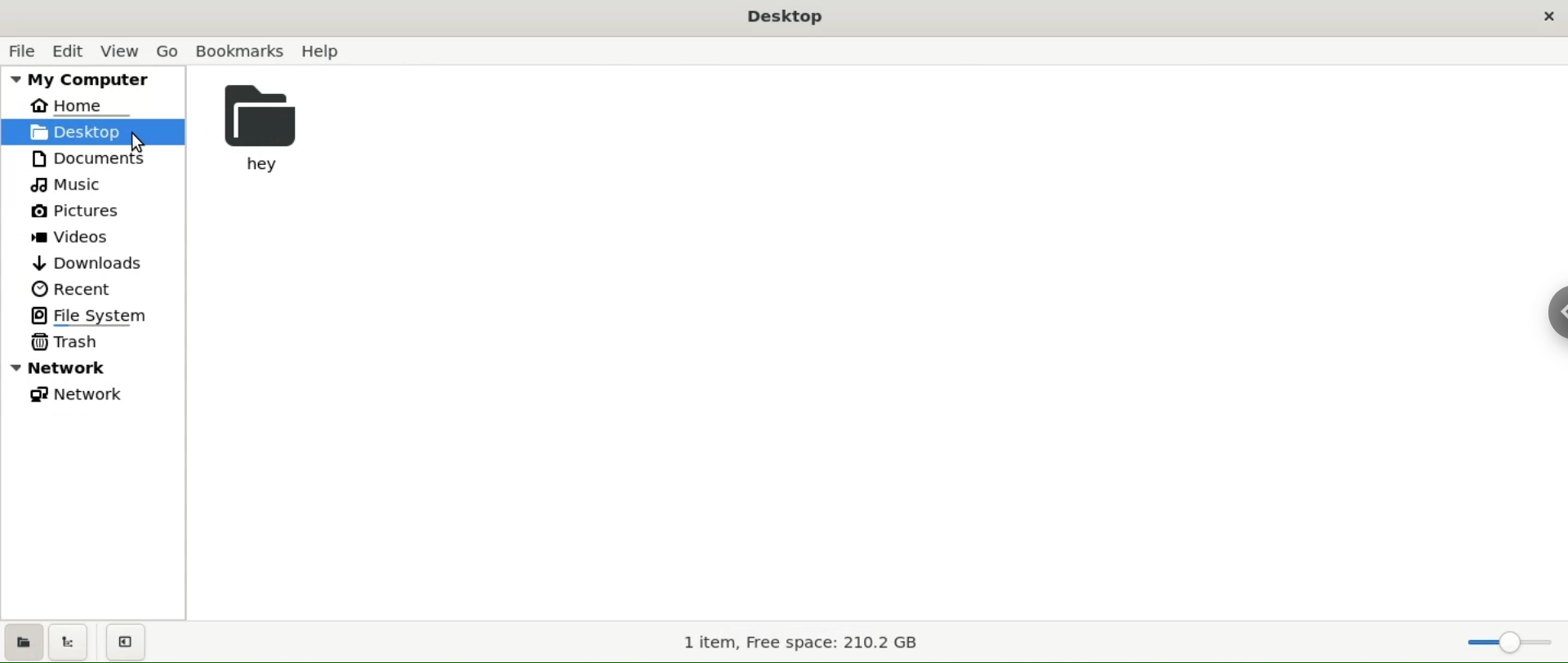  I want to click on close sidebar, so click(125, 642).